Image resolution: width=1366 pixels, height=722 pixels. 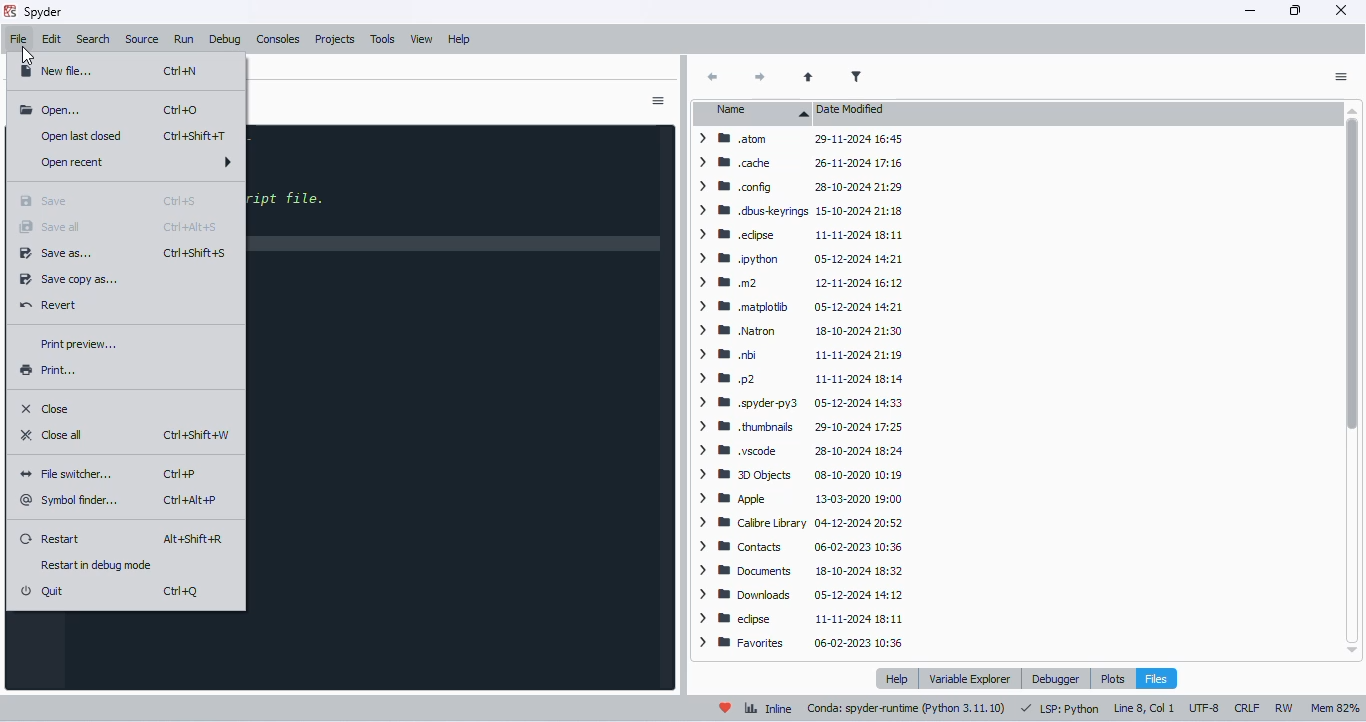 What do you see at coordinates (1340, 77) in the screenshot?
I see `options` at bounding box center [1340, 77].